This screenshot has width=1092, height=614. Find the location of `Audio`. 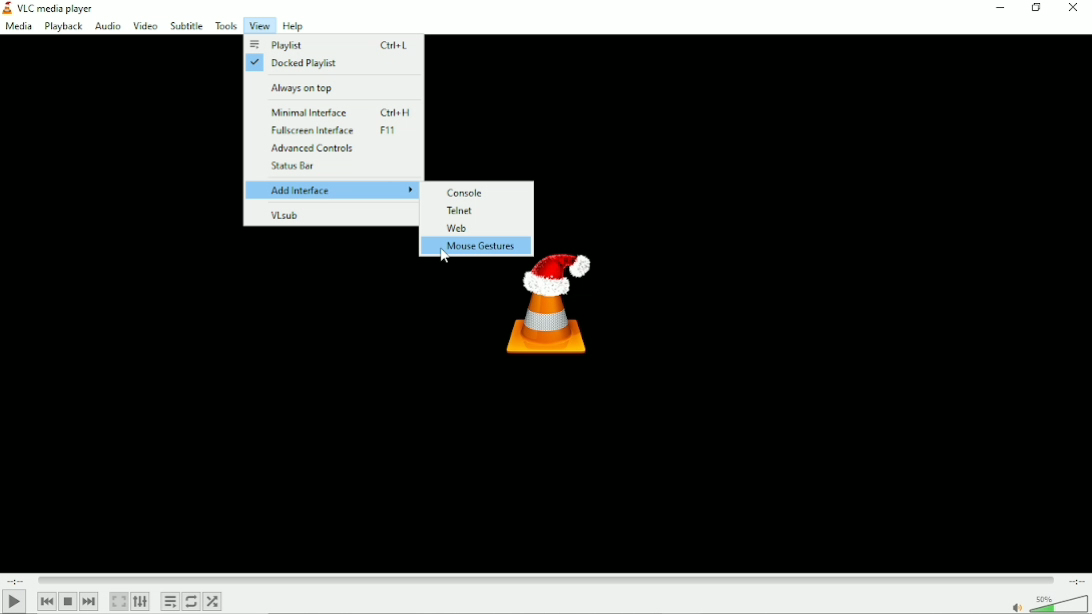

Audio is located at coordinates (107, 26).